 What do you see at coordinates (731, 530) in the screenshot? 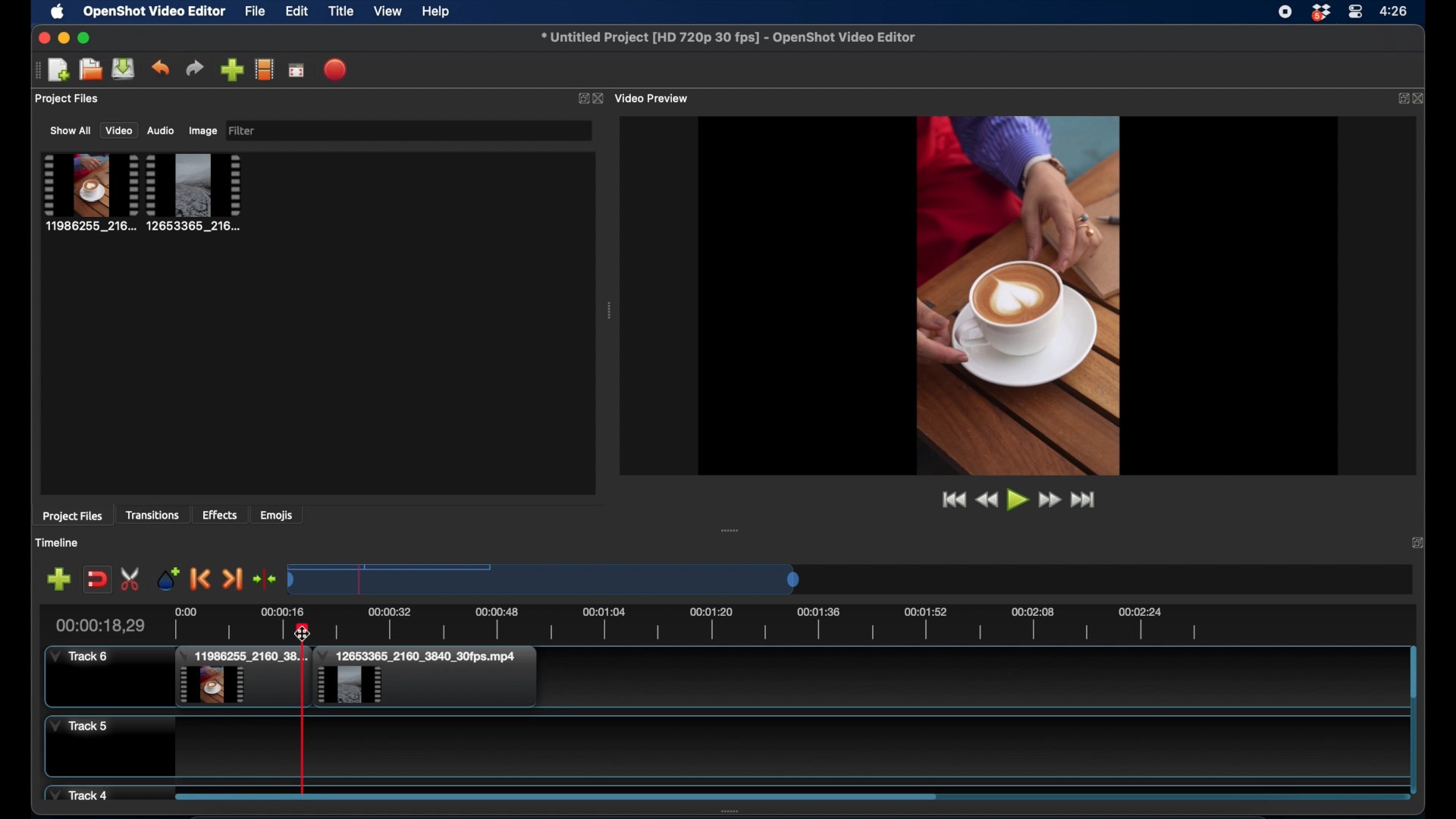
I see `drag handle` at bounding box center [731, 530].